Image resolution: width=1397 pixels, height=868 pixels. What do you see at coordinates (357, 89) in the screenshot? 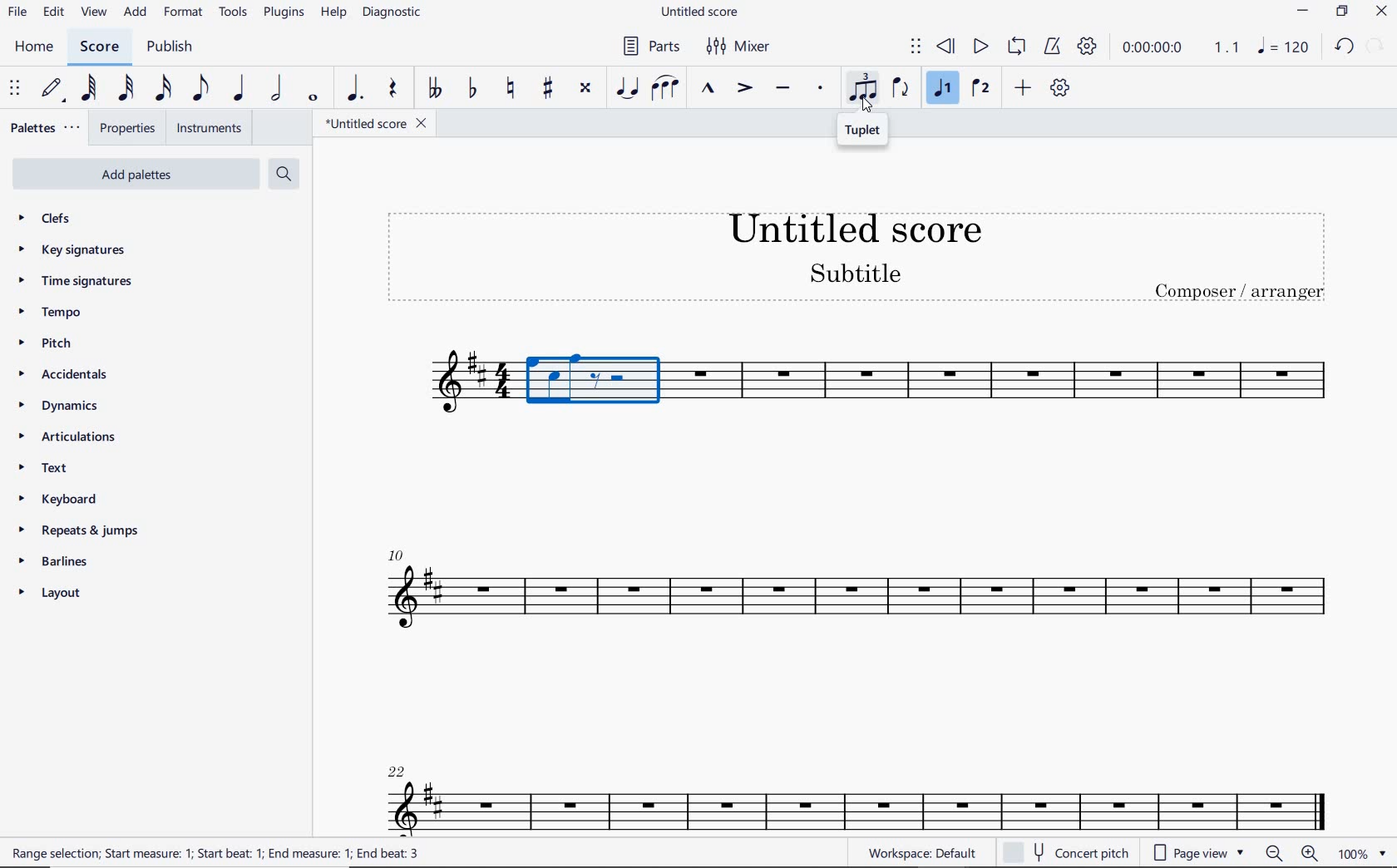
I see `AUGMENTATION DOT` at bounding box center [357, 89].